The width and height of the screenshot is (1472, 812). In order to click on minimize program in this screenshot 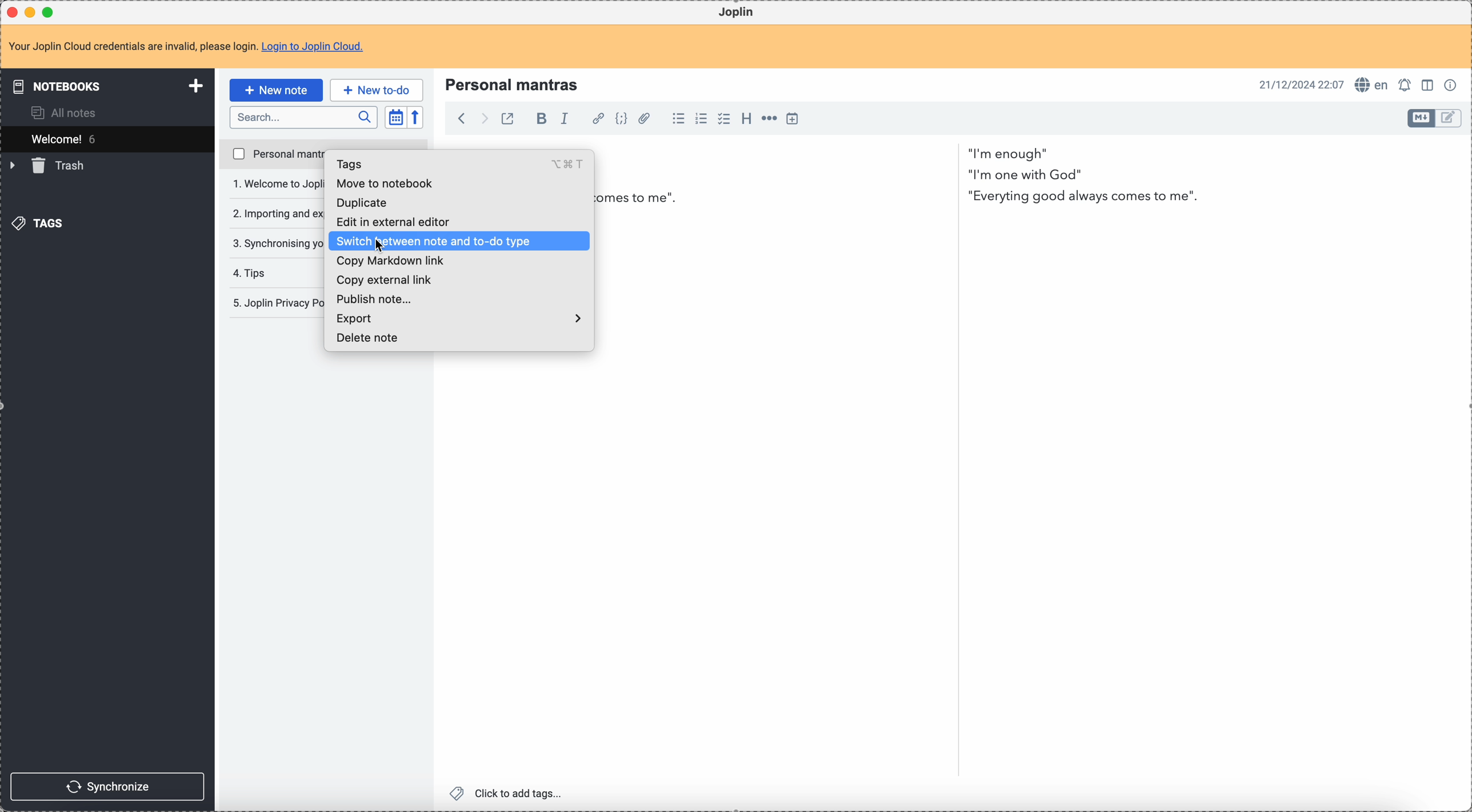, I will do `click(32, 13)`.